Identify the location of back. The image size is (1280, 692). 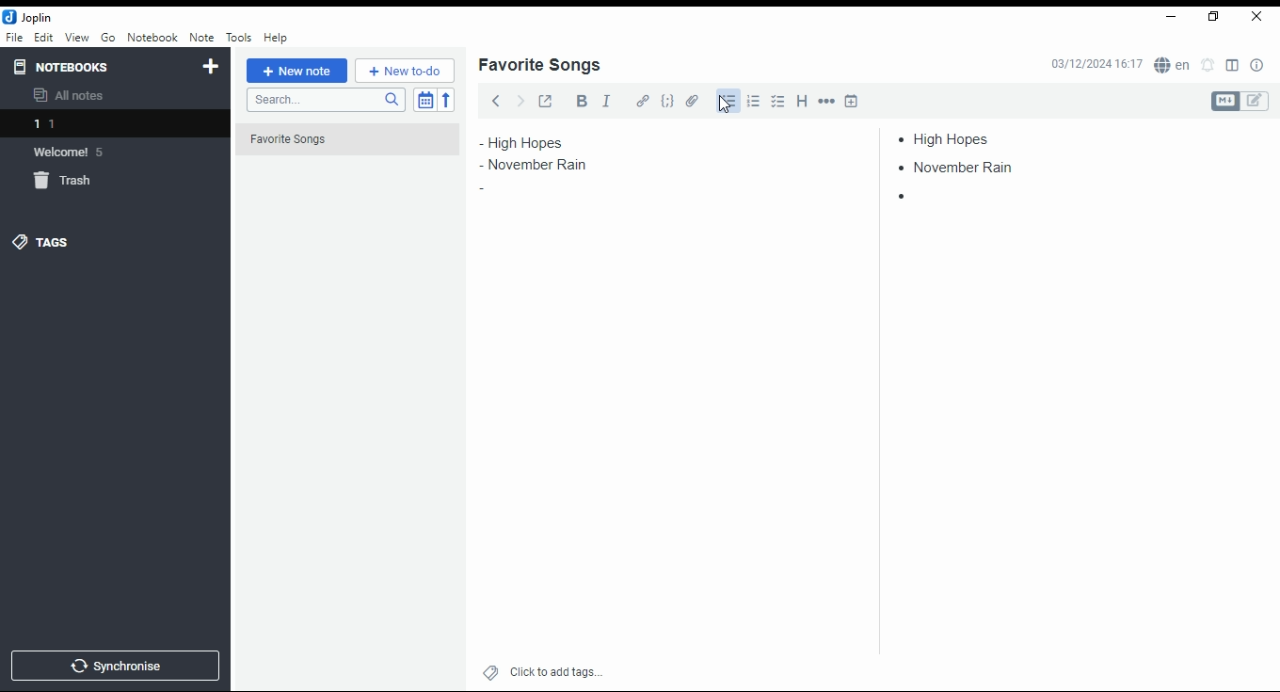
(496, 100).